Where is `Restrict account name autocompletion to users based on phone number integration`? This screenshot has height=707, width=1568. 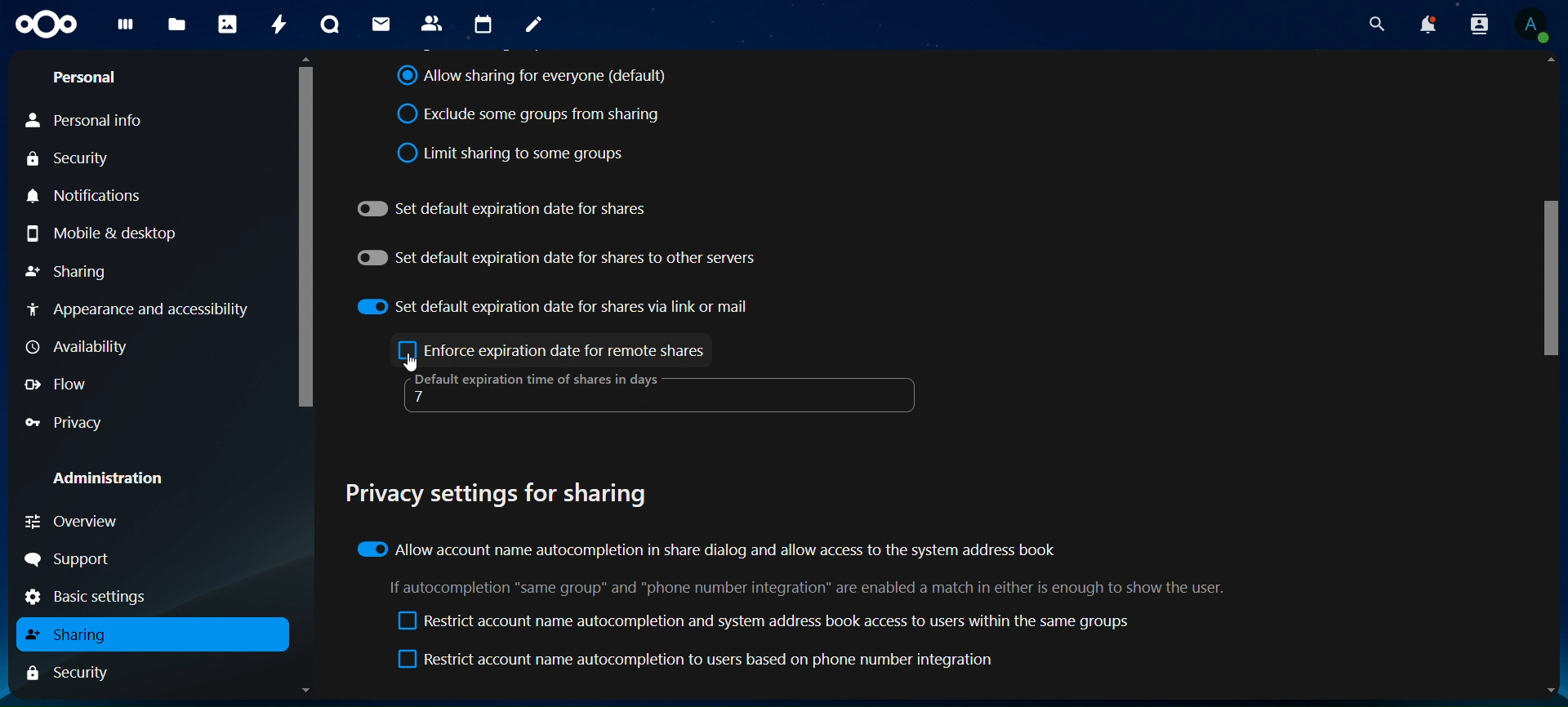 Restrict account name autocompletion to users based on phone number integration is located at coordinates (700, 661).